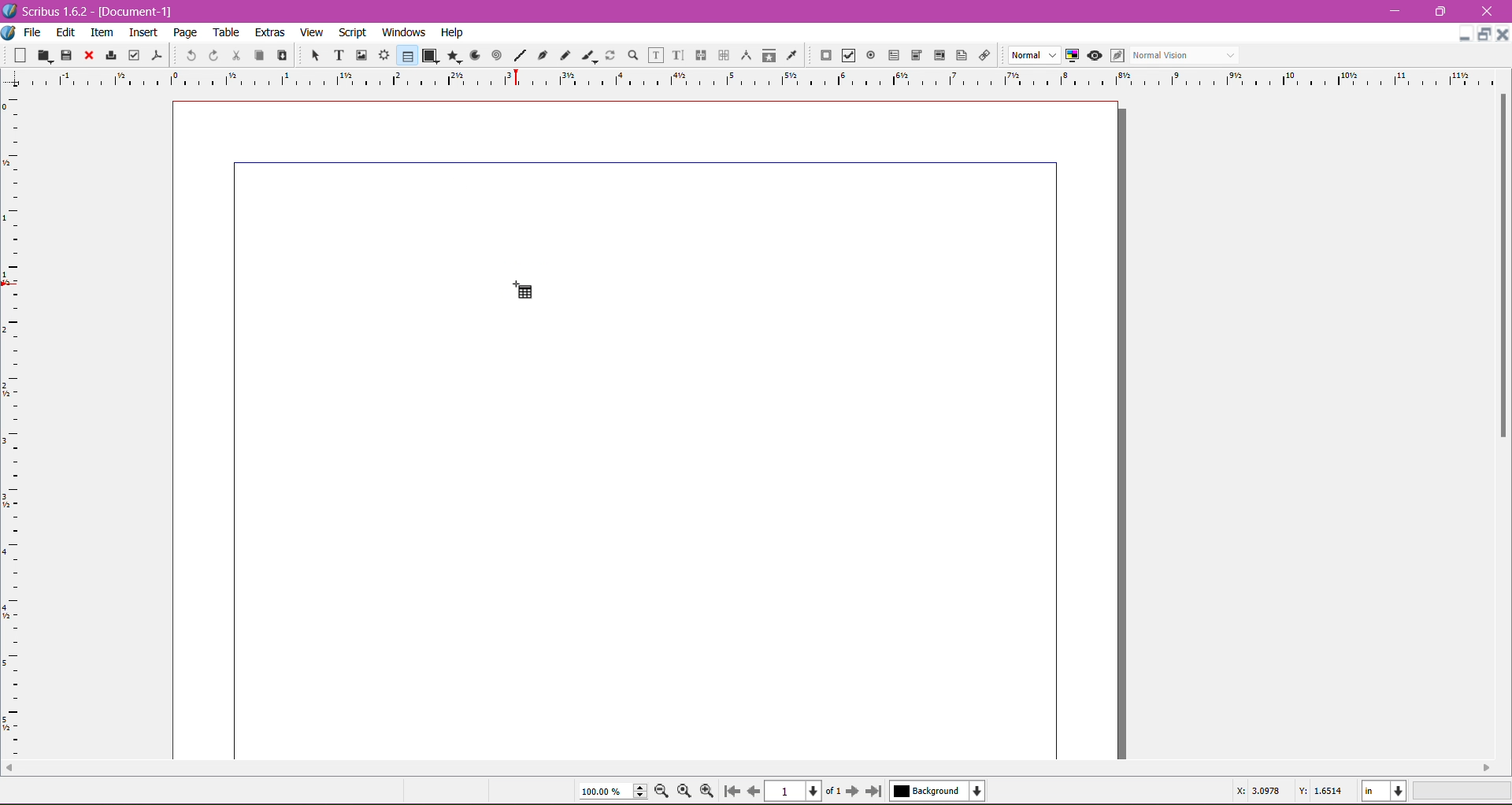  Describe the element at coordinates (769, 54) in the screenshot. I see `Copy Item Properties` at that location.